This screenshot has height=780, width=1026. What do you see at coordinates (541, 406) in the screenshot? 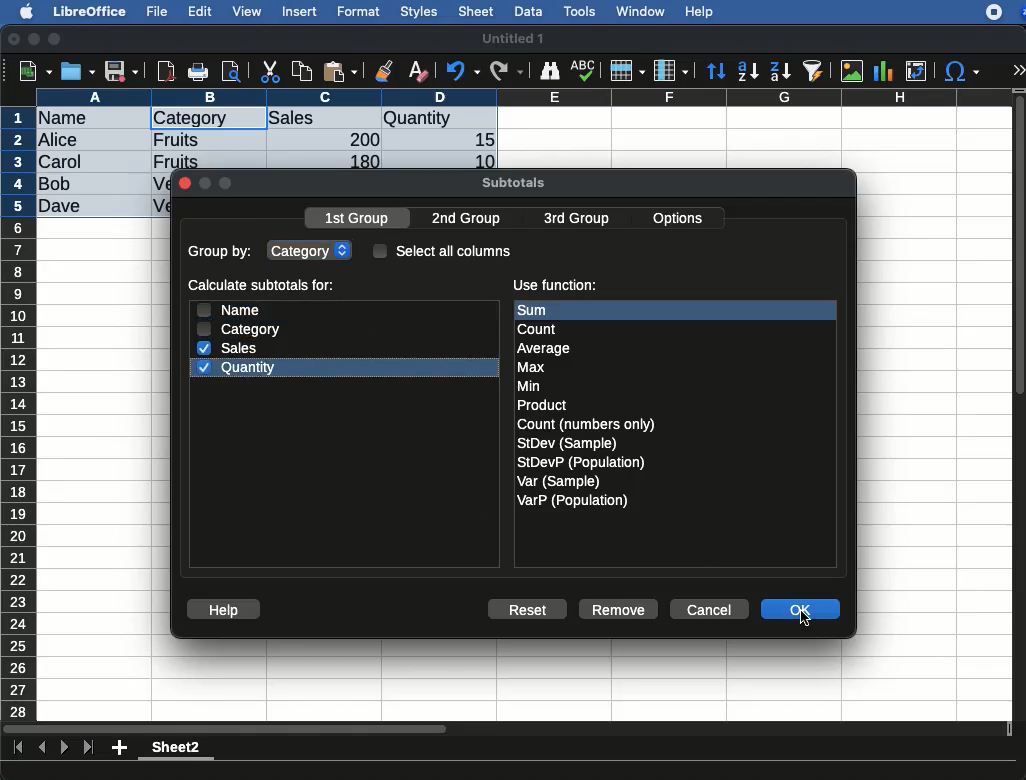
I see `Product` at bounding box center [541, 406].